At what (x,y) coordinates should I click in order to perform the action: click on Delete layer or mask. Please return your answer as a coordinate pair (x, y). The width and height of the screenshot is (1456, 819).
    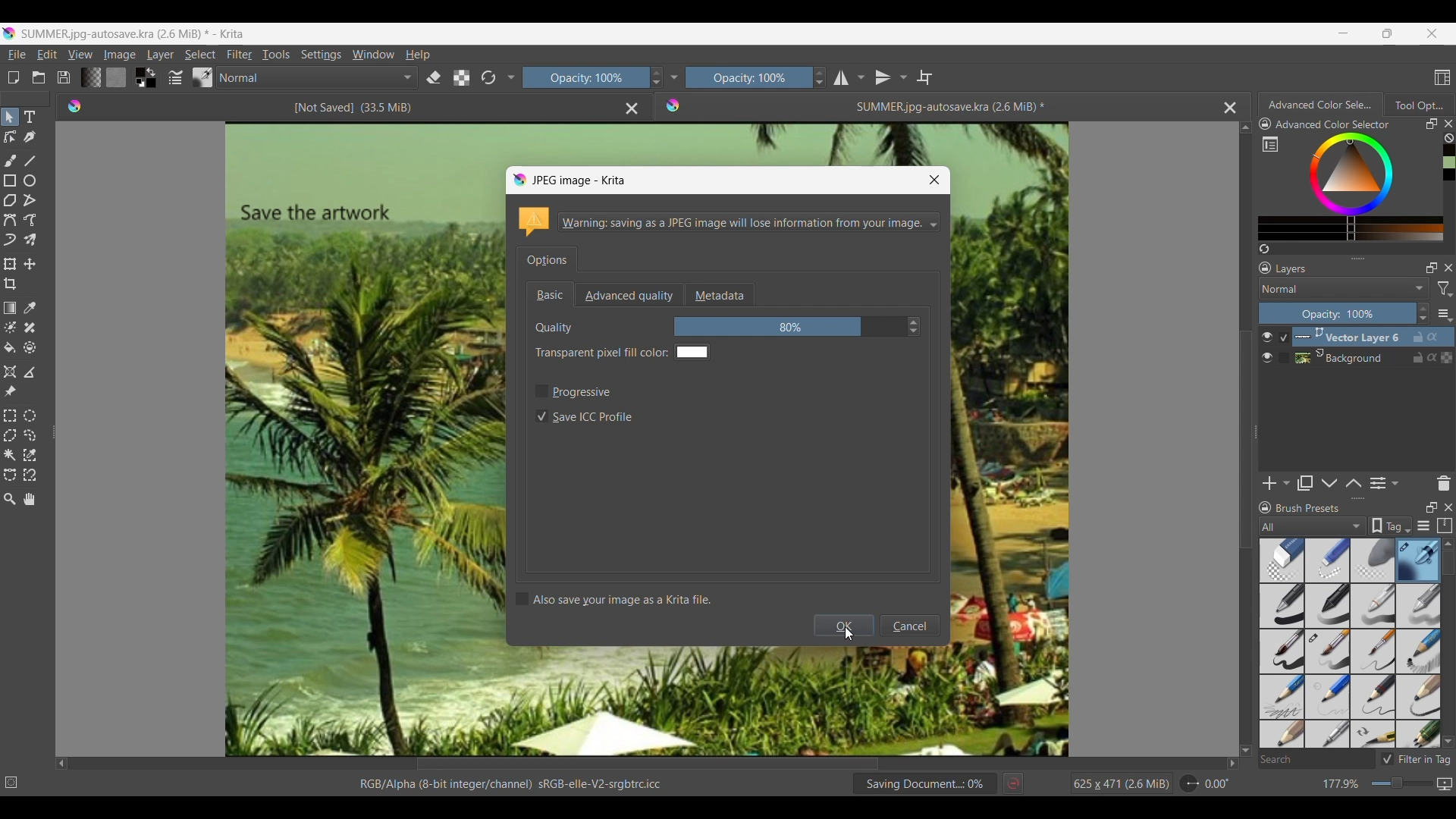
    Looking at the image, I should click on (1443, 484).